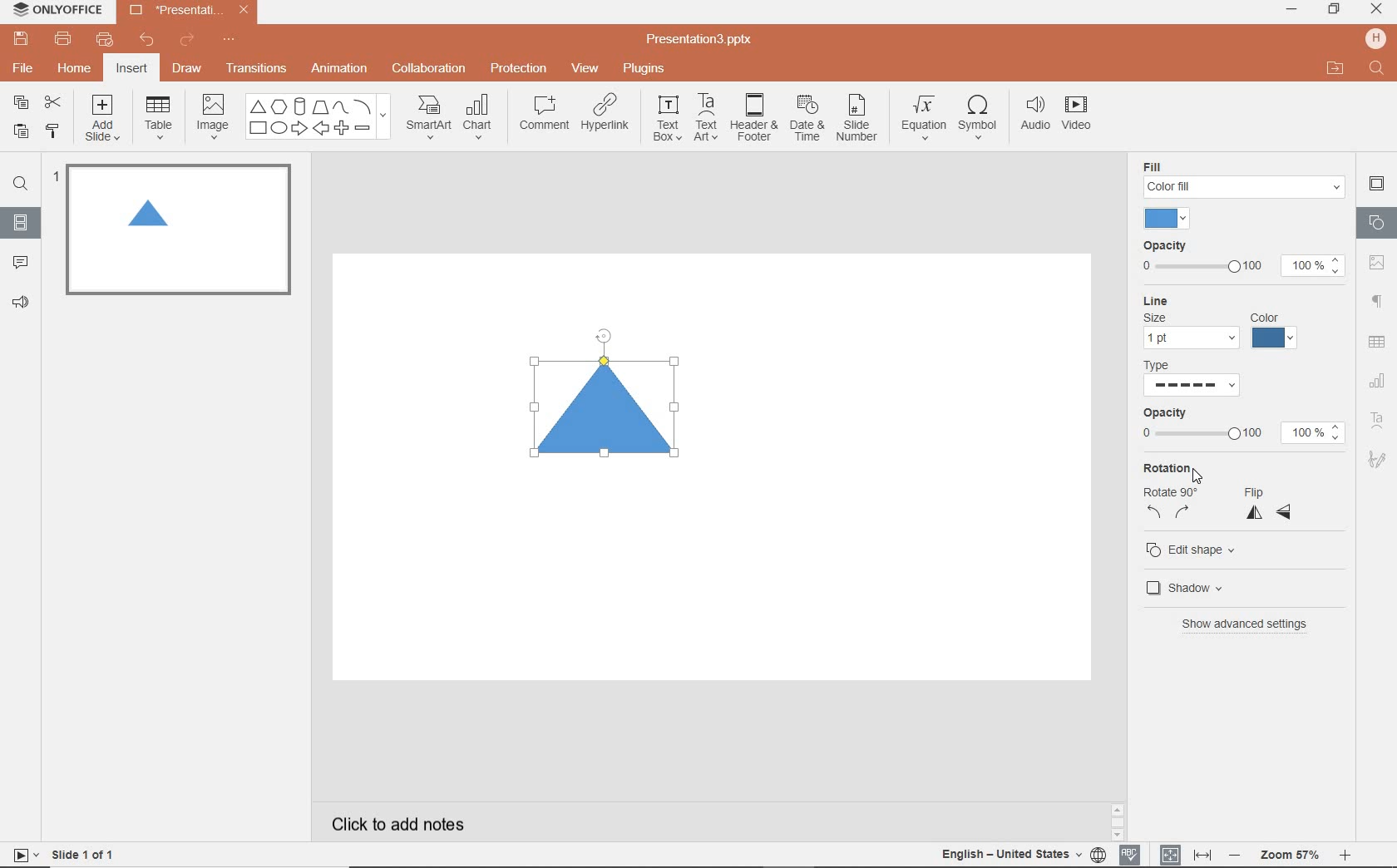 This screenshot has height=868, width=1397. I want to click on shadow, so click(1193, 588).